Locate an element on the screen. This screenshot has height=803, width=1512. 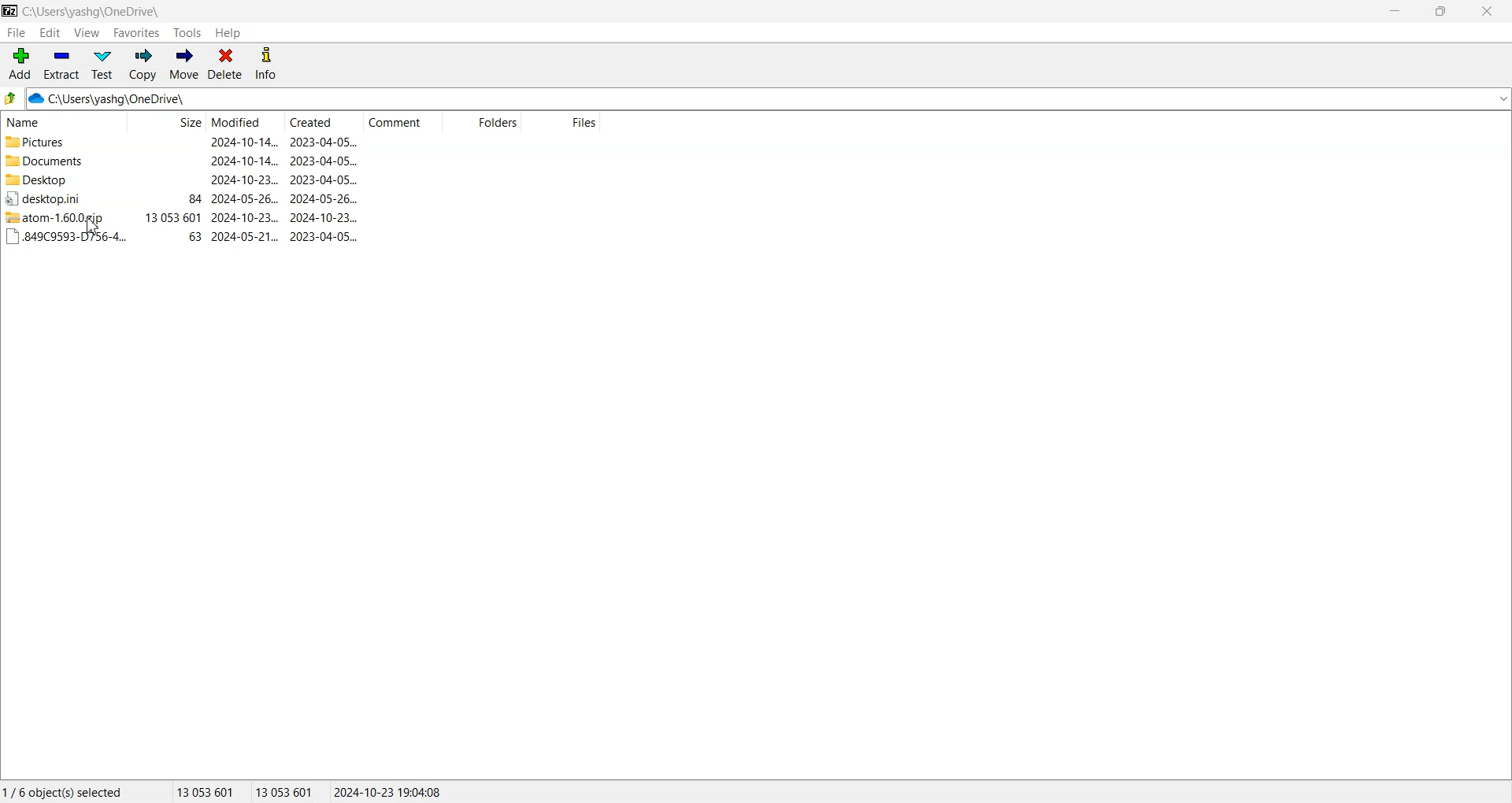
.894c File is located at coordinates (65, 237).